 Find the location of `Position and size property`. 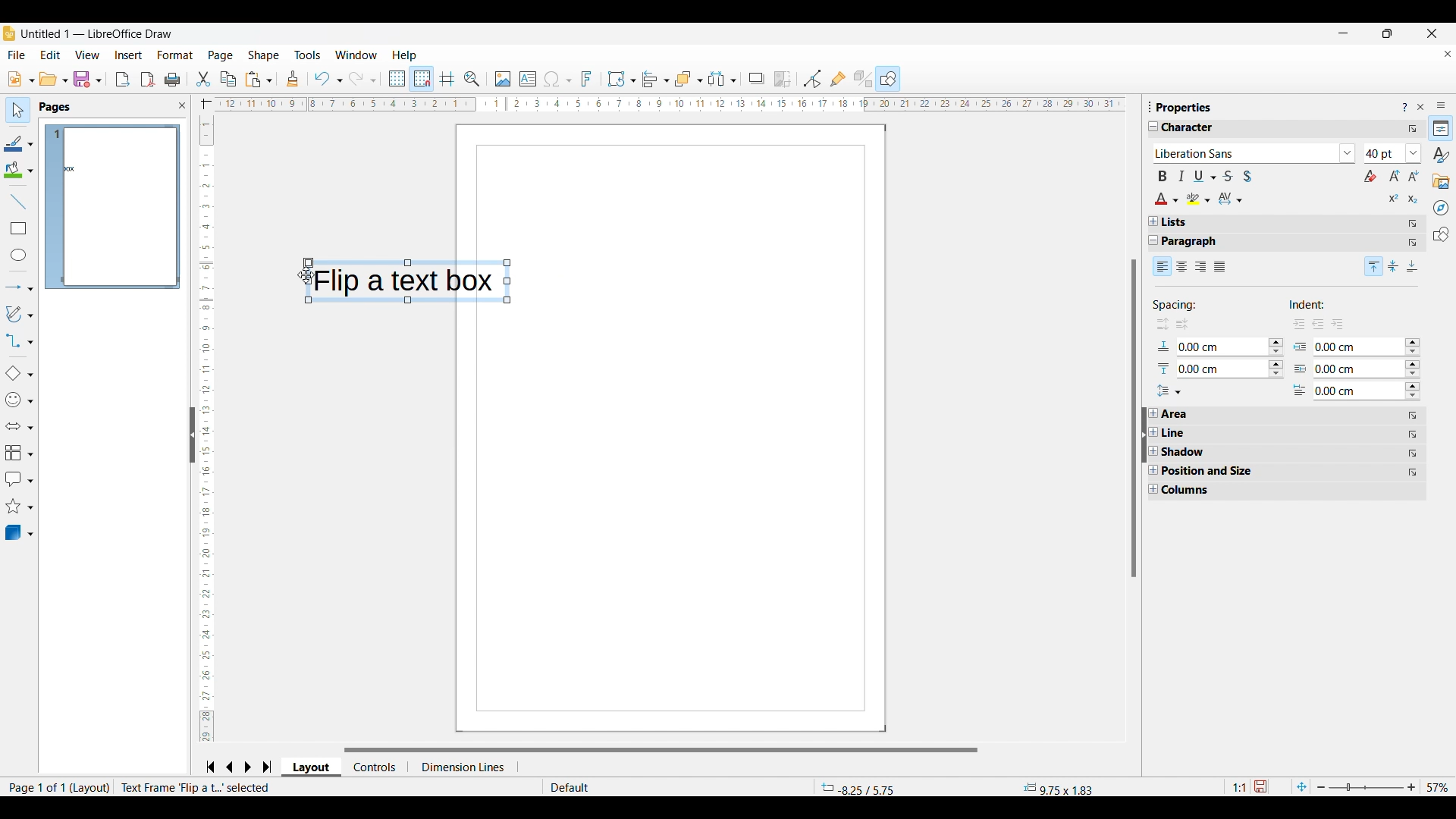

Position and size property is located at coordinates (1214, 471).